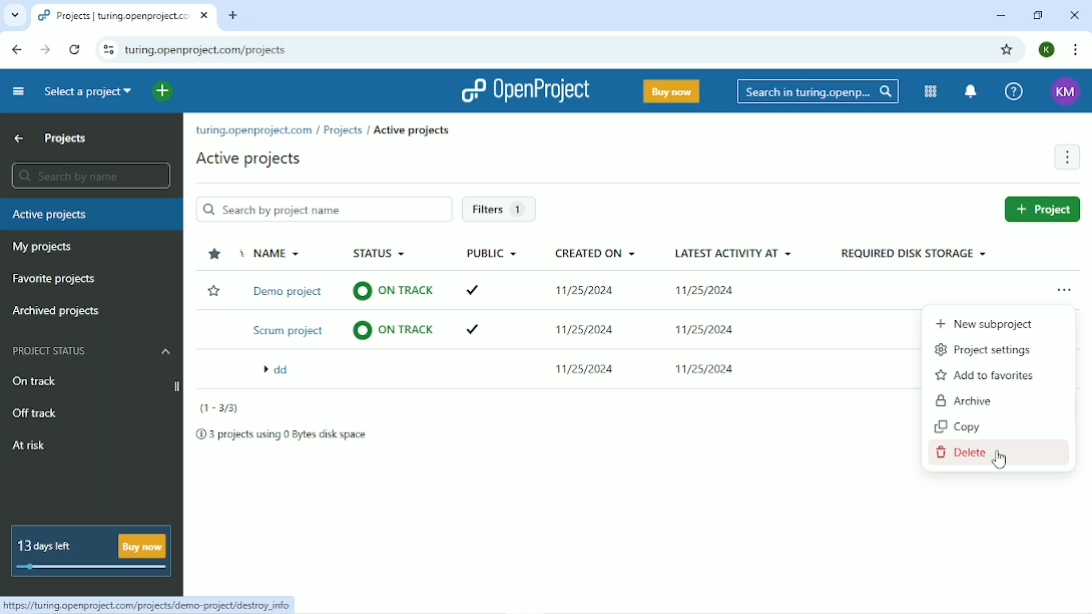 The image size is (1092, 614). What do you see at coordinates (285, 331) in the screenshot?
I see `Scrum project` at bounding box center [285, 331].